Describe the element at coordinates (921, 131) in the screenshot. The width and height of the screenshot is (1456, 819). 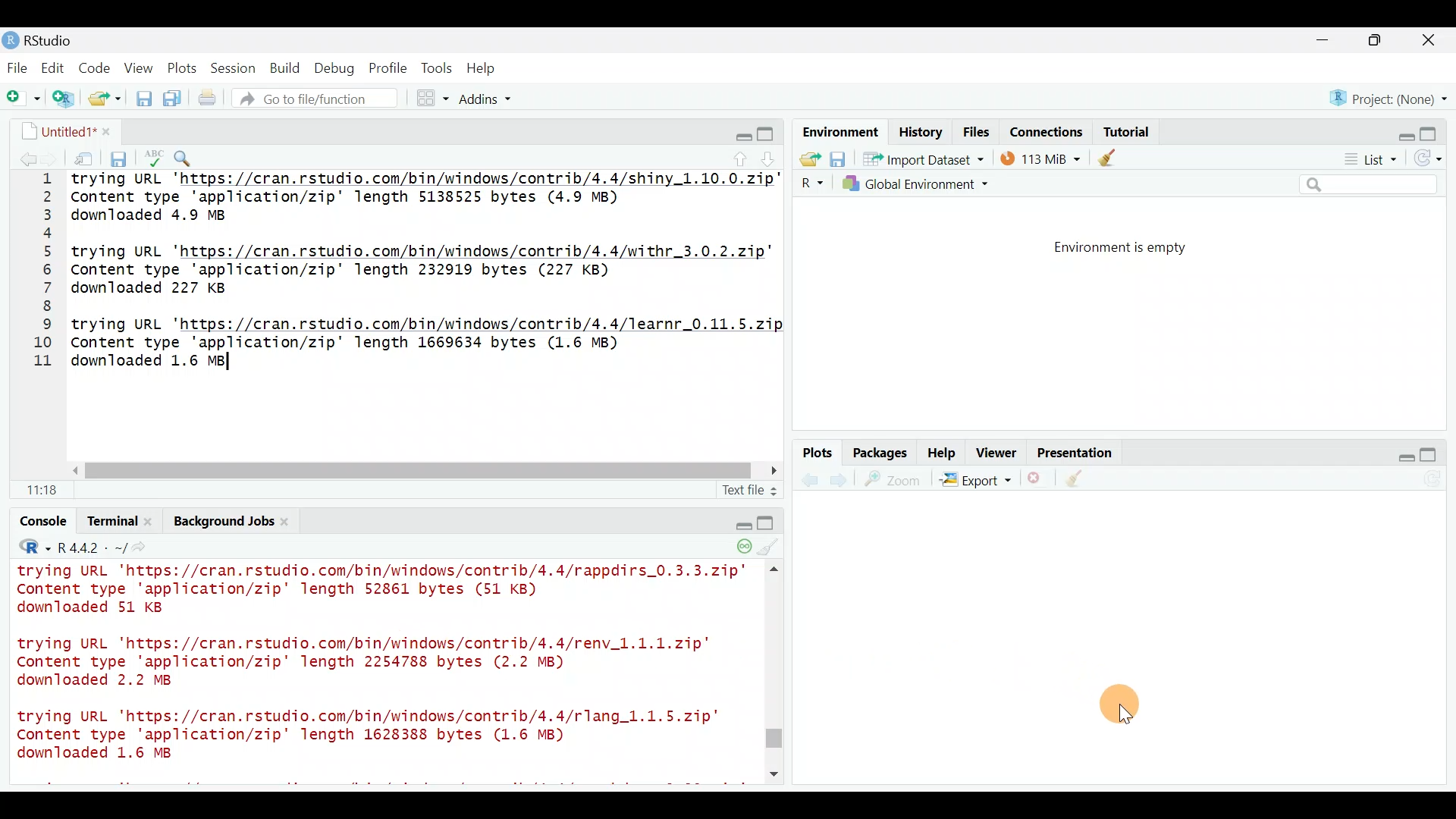
I see `History` at that location.